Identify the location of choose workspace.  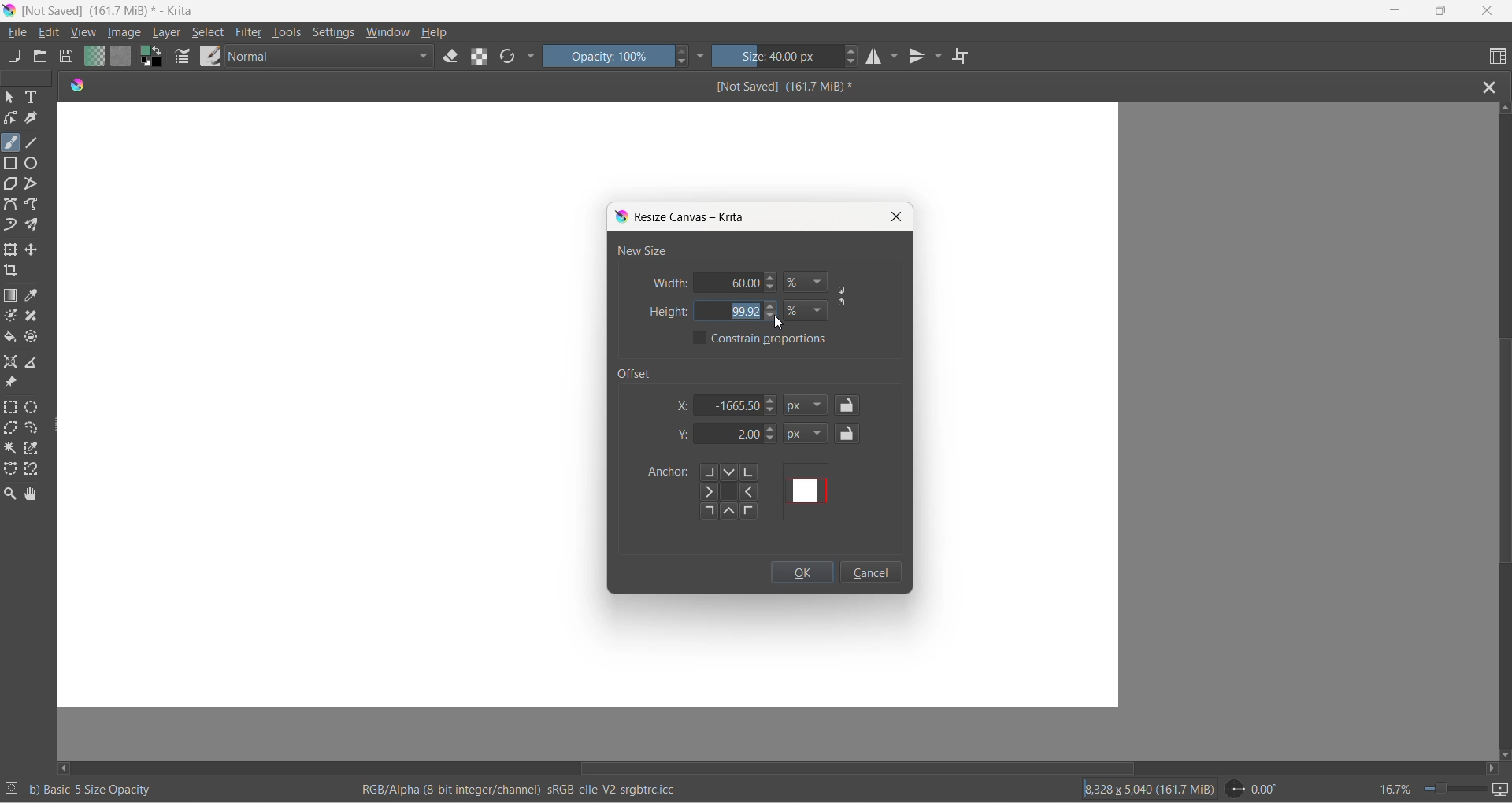
(1495, 57).